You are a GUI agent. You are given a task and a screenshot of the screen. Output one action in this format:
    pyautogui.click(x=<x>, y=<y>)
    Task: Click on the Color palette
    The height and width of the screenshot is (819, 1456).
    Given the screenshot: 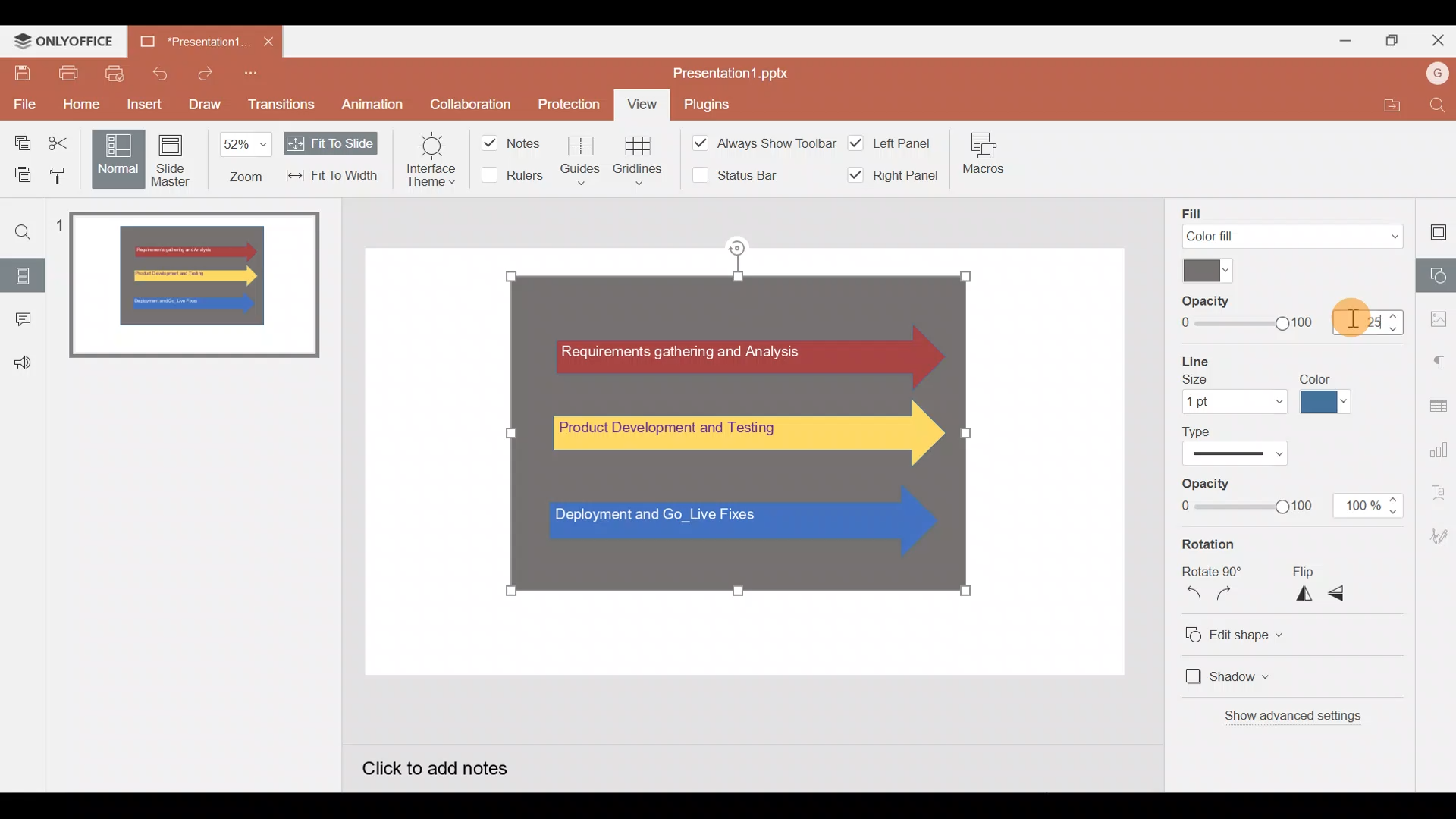 What is the action you would take?
    pyautogui.click(x=1203, y=270)
    